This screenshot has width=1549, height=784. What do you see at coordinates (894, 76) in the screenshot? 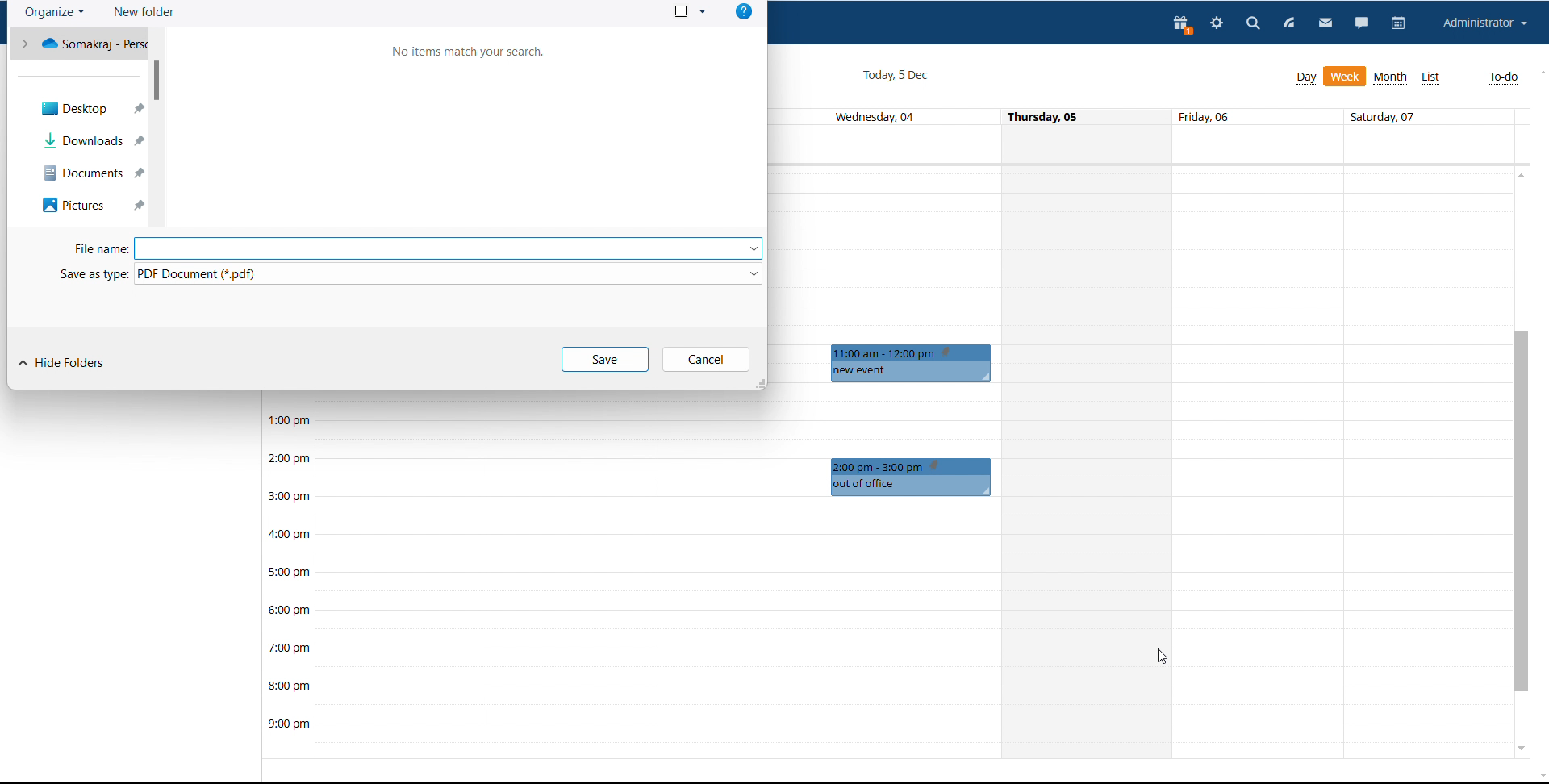
I see `current date` at bounding box center [894, 76].